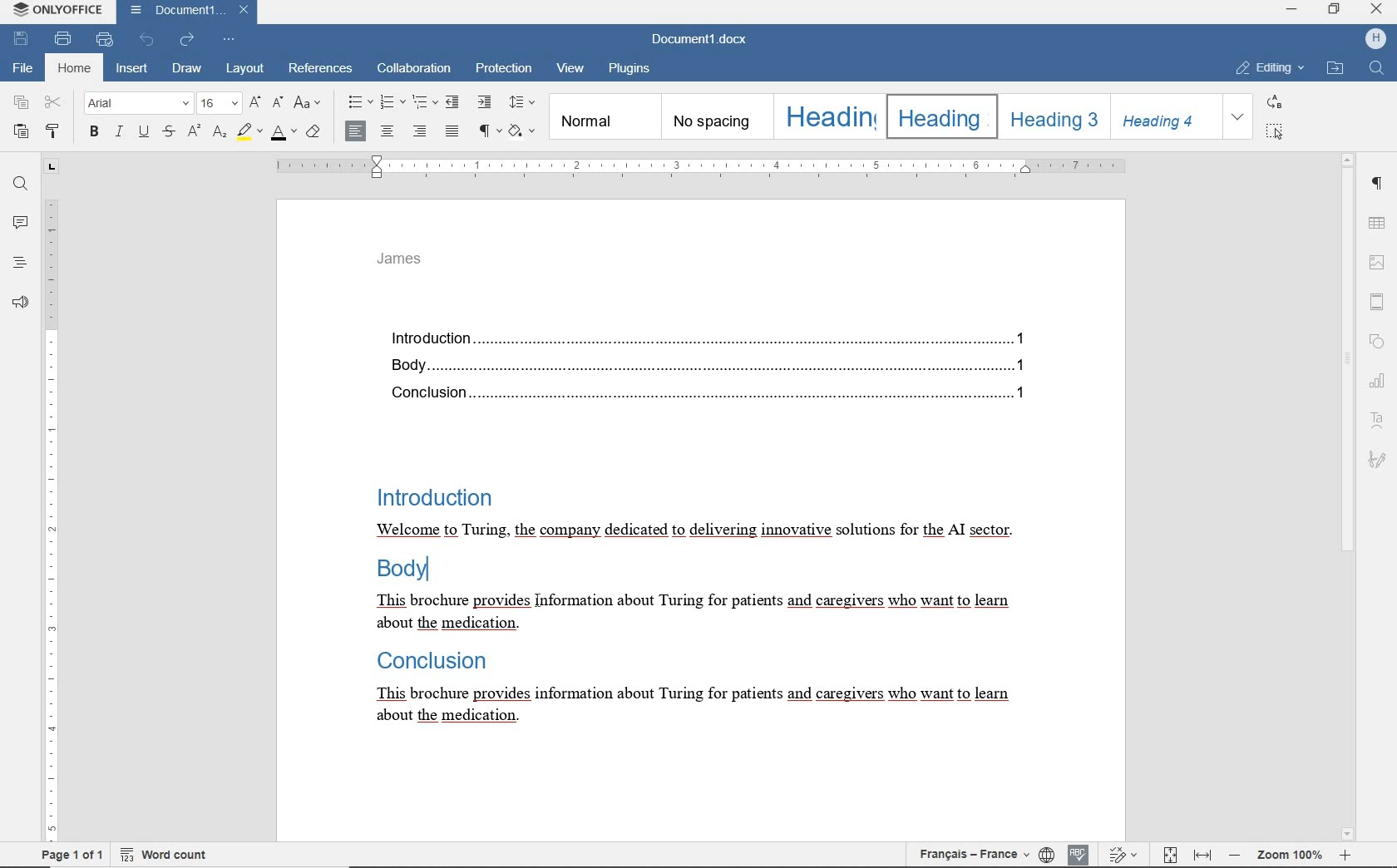 This screenshot has width=1397, height=868. I want to click on HEADER AND FOOTER, so click(1378, 298).